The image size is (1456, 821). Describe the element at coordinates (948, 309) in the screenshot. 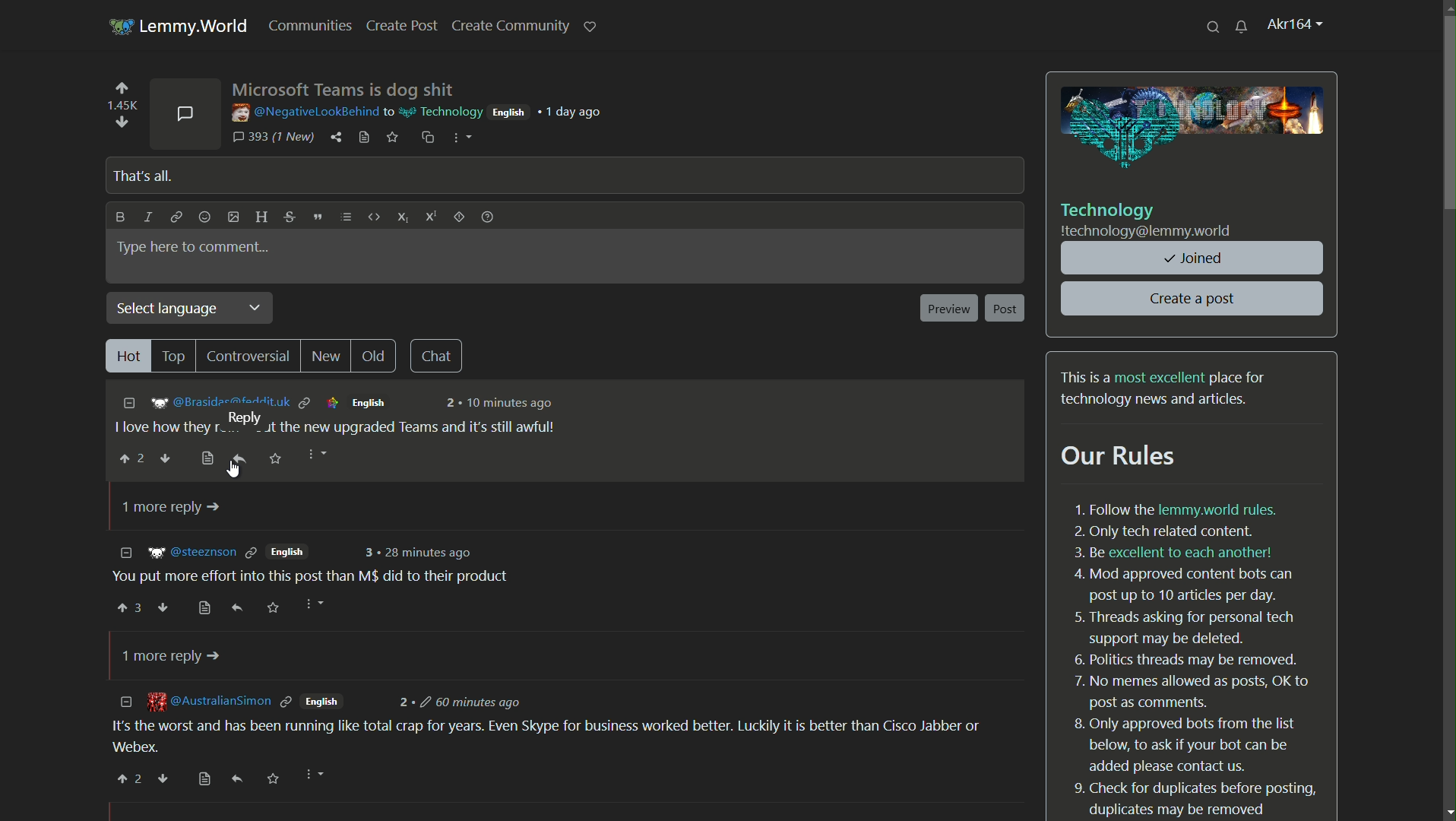

I see `preview` at that location.